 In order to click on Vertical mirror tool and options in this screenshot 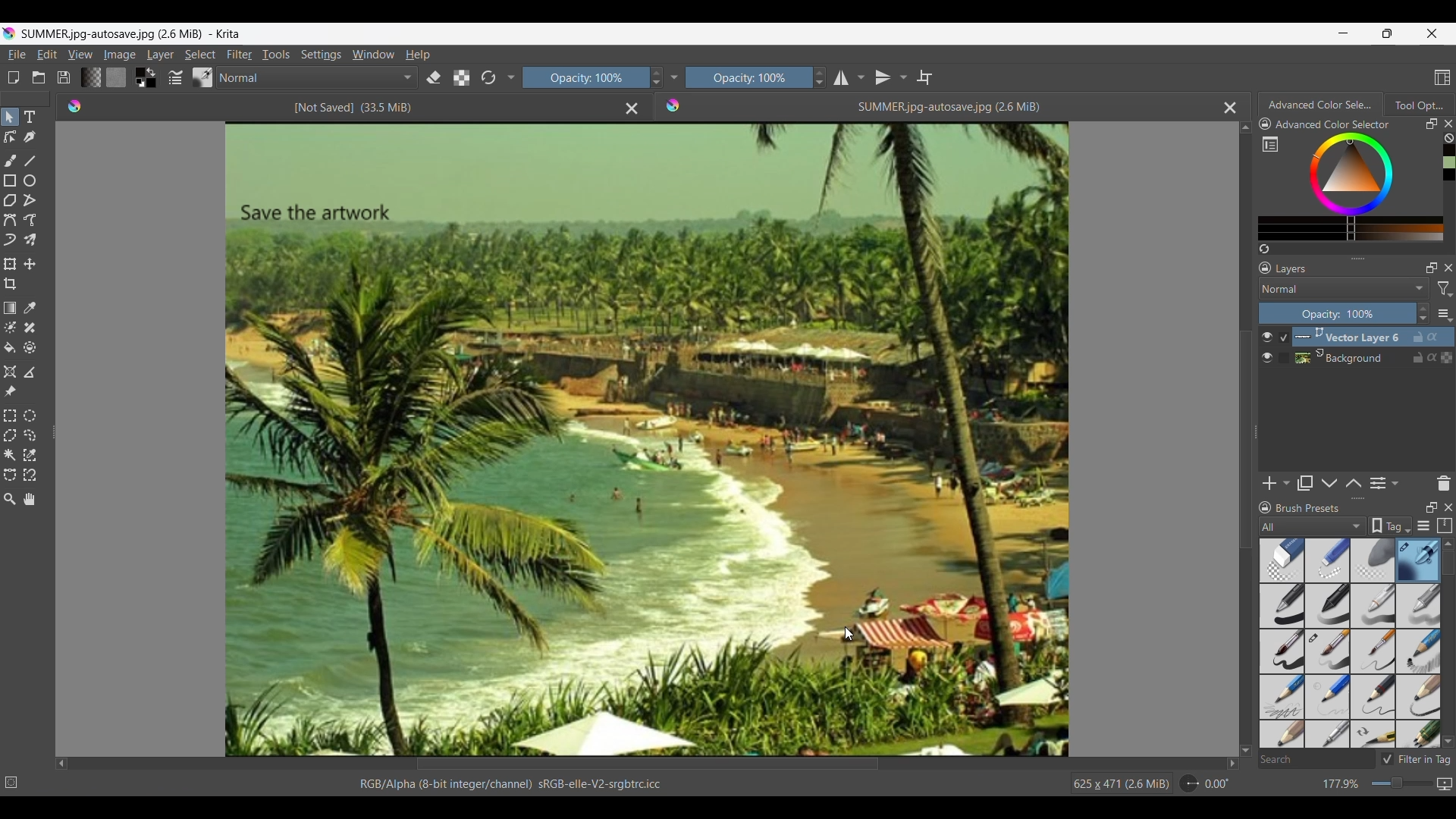, I will do `click(891, 77)`.